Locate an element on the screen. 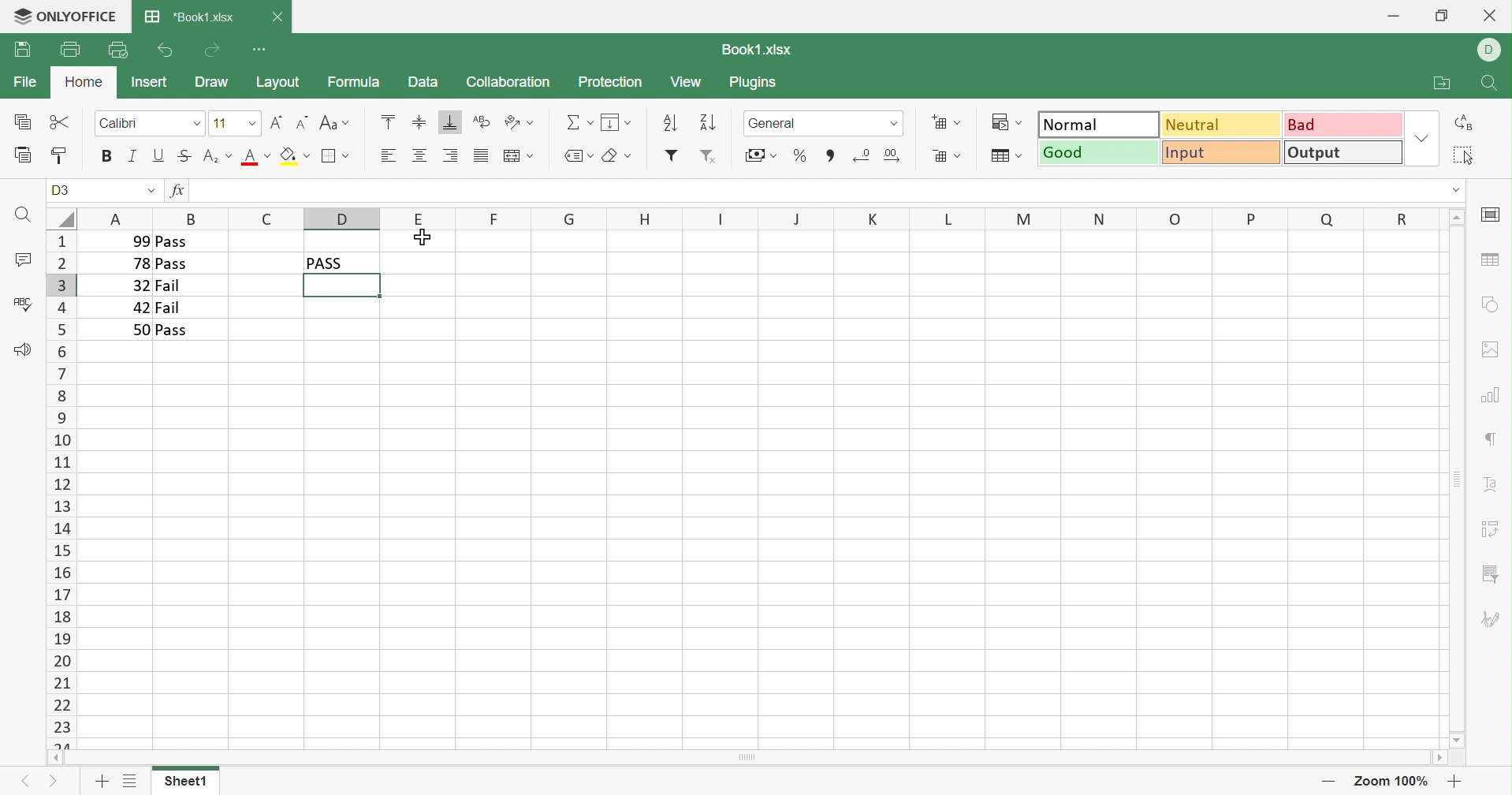  Cut is located at coordinates (61, 123).